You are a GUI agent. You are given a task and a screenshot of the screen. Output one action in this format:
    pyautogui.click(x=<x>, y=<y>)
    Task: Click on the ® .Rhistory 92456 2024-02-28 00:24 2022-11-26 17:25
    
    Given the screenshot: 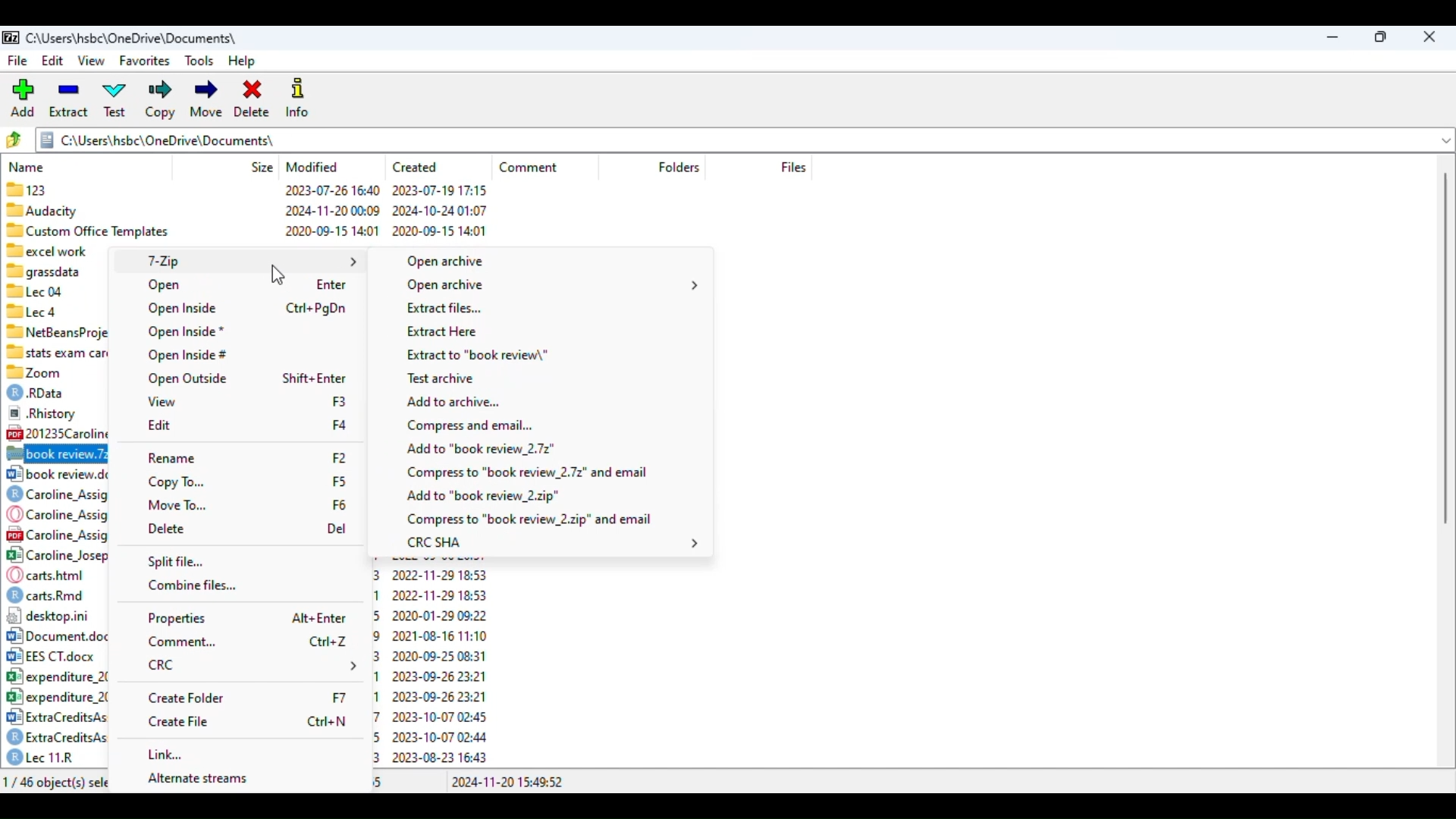 What is the action you would take?
    pyautogui.click(x=55, y=412)
    